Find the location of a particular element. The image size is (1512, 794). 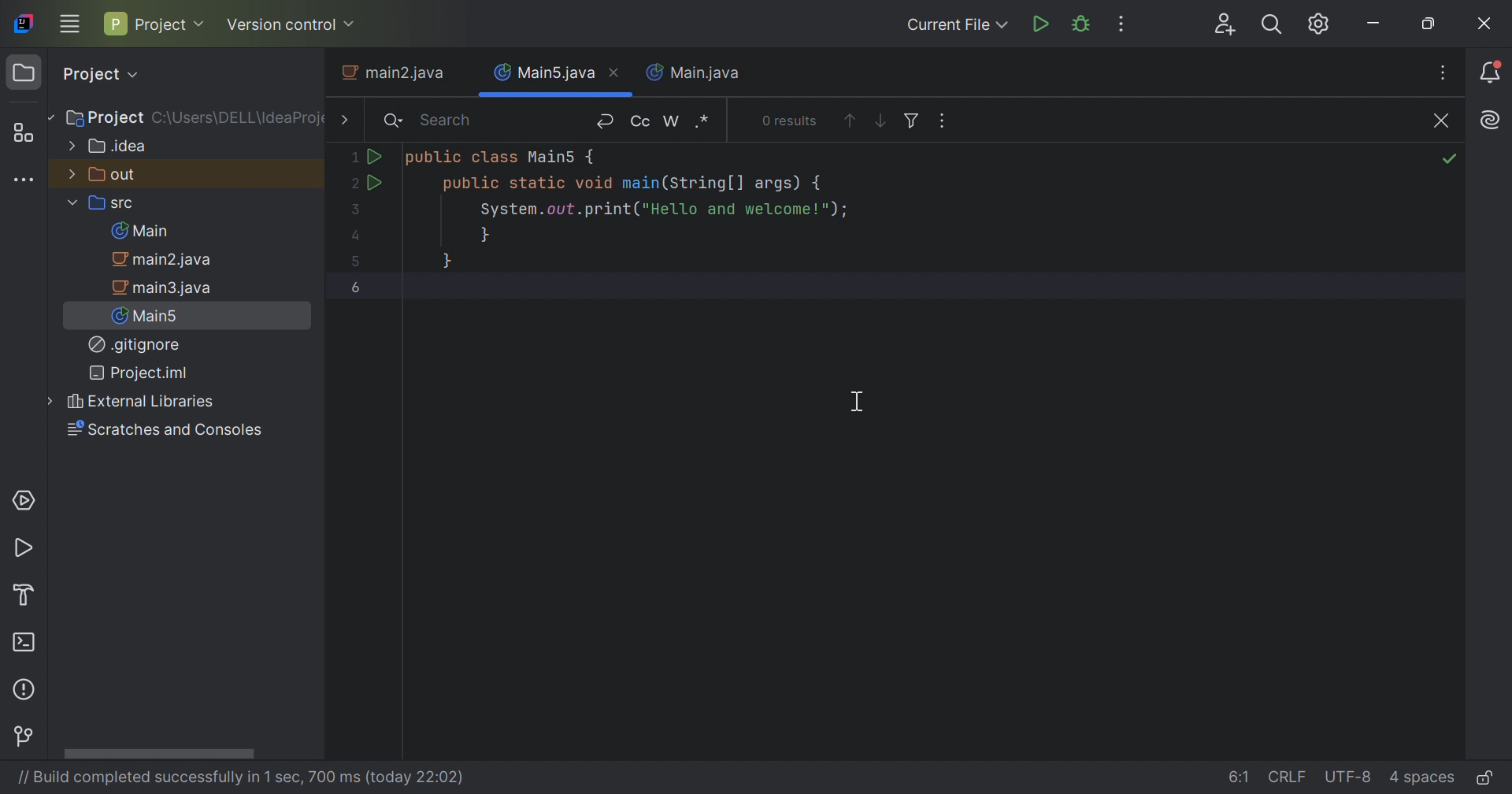

file encoding: UTF-8 is located at coordinates (1350, 777).